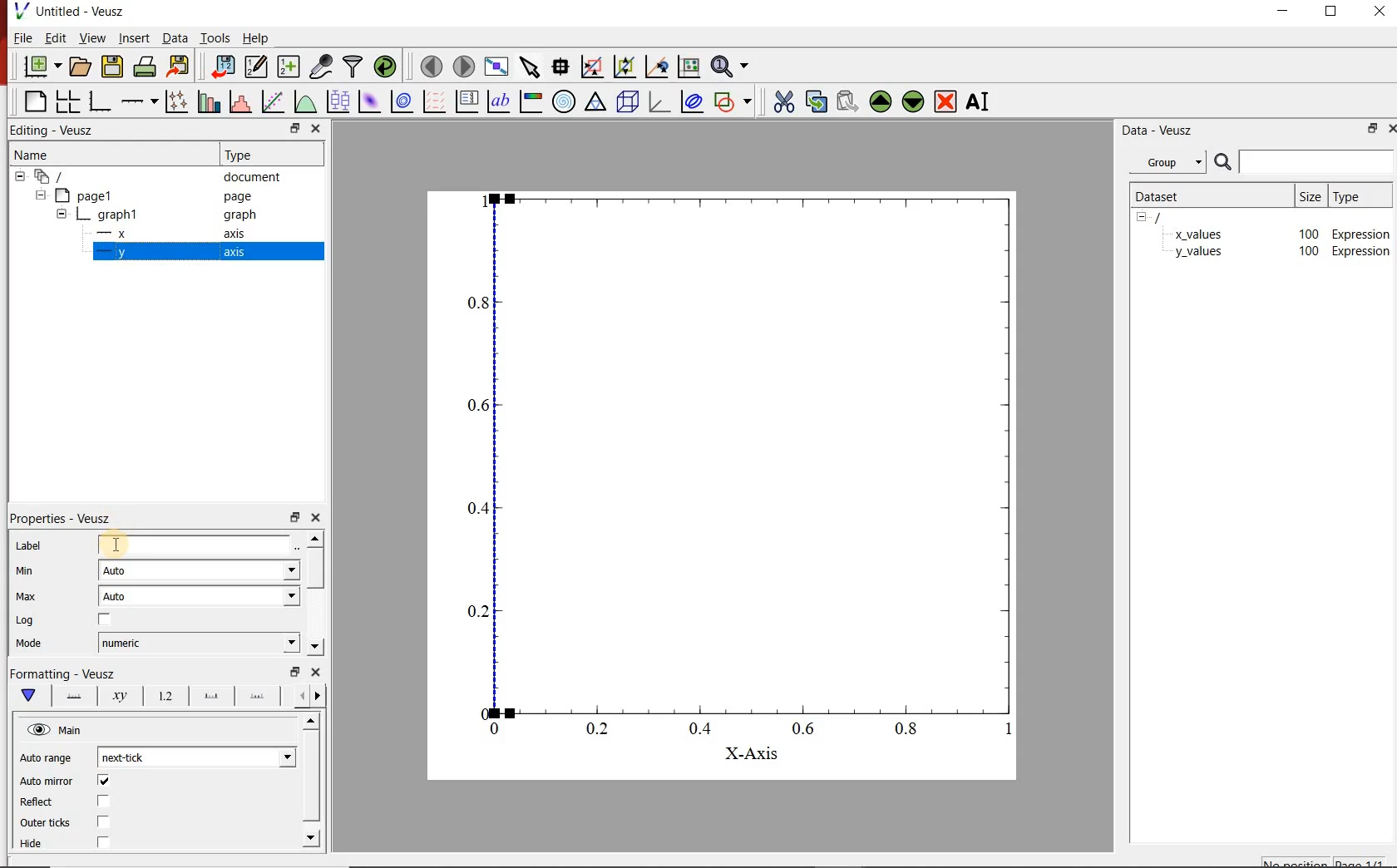  Describe the element at coordinates (465, 67) in the screenshot. I see `move to next page` at that location.